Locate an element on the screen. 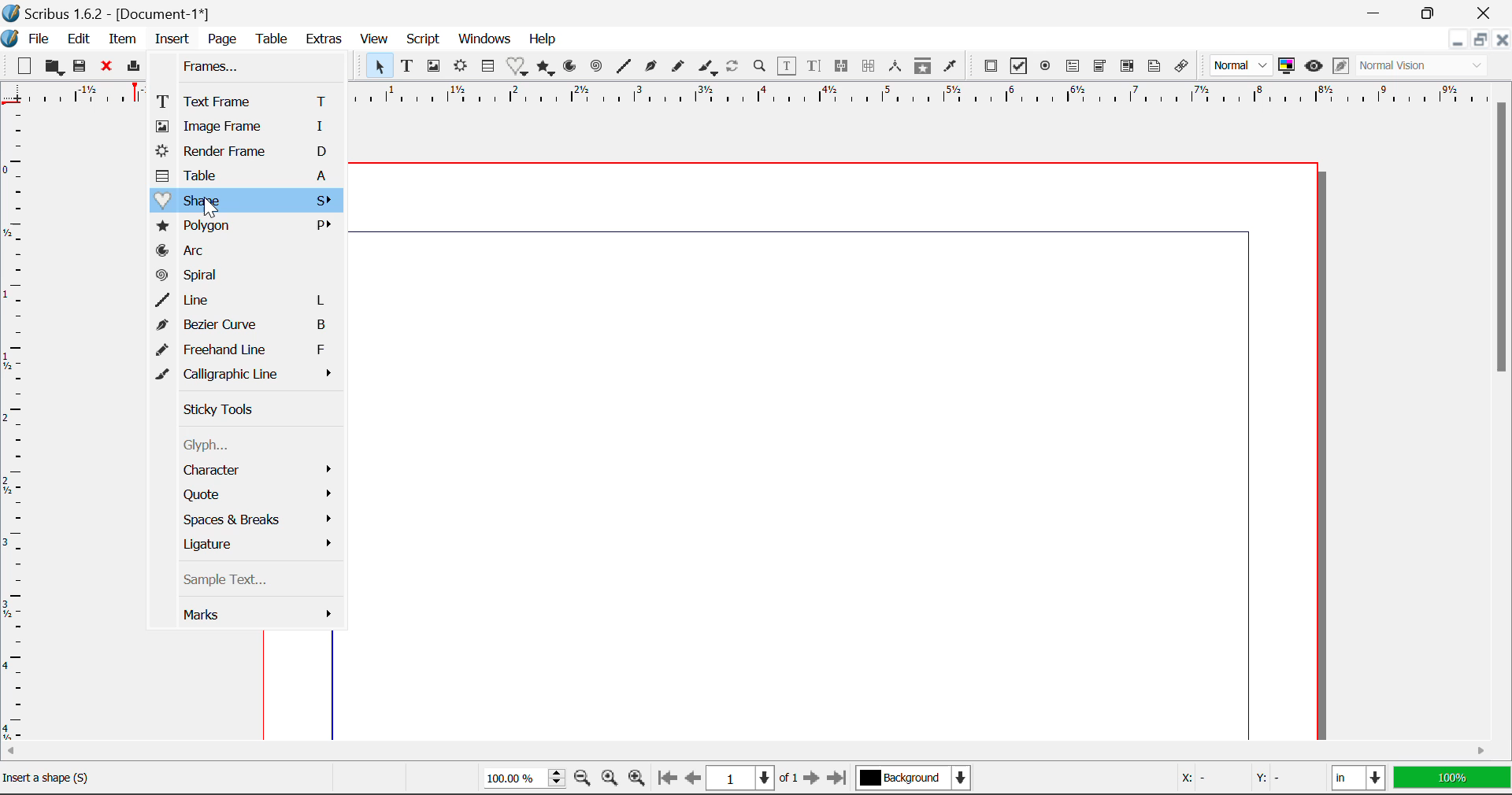 The width and height of the screenshot is (1512, 795). Scribus 1.6.2 - [Document-1*] is located at coordinates (113, 13).